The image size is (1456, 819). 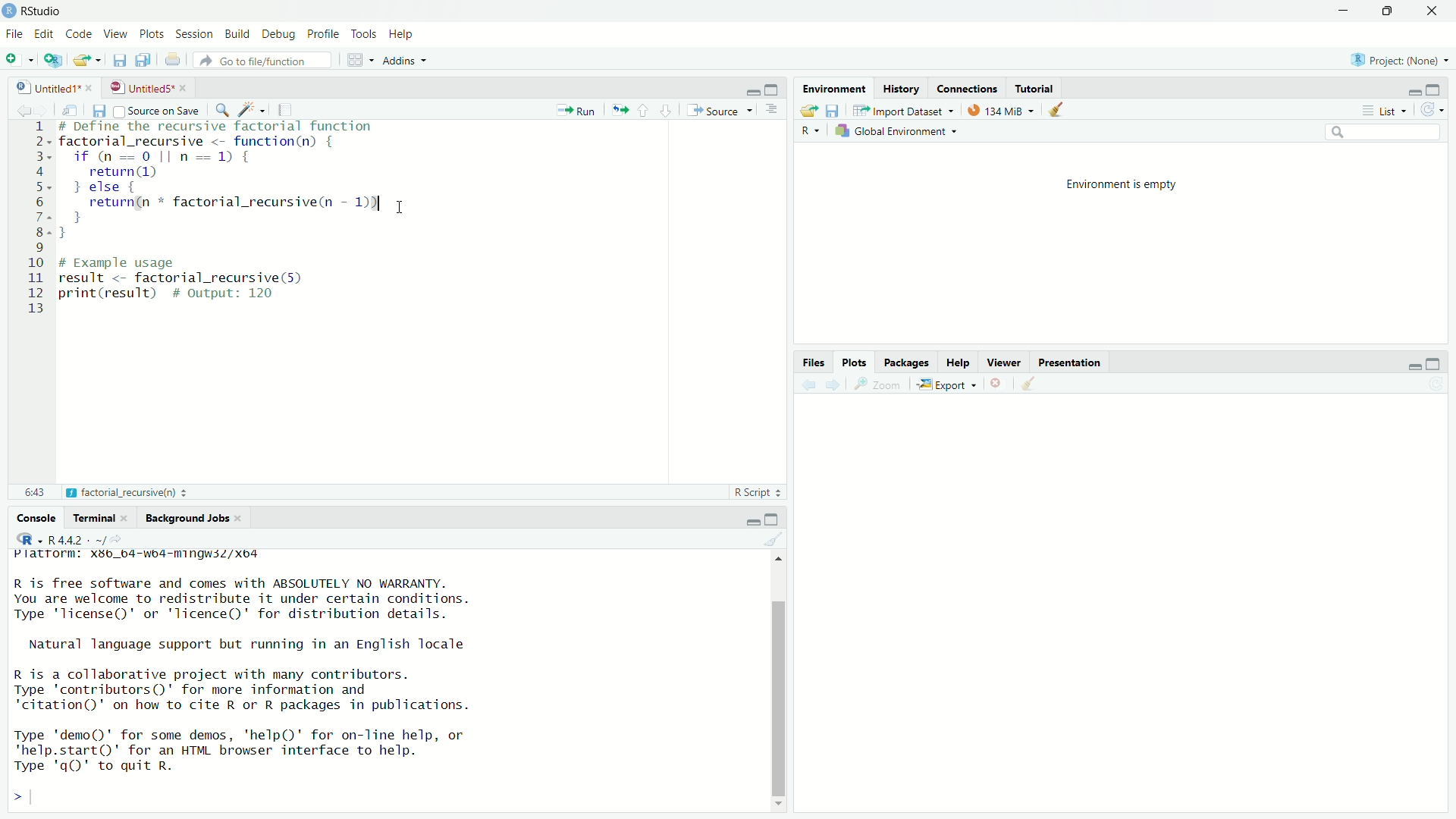 I want to click on Minimze, so click(x=752, y=91).